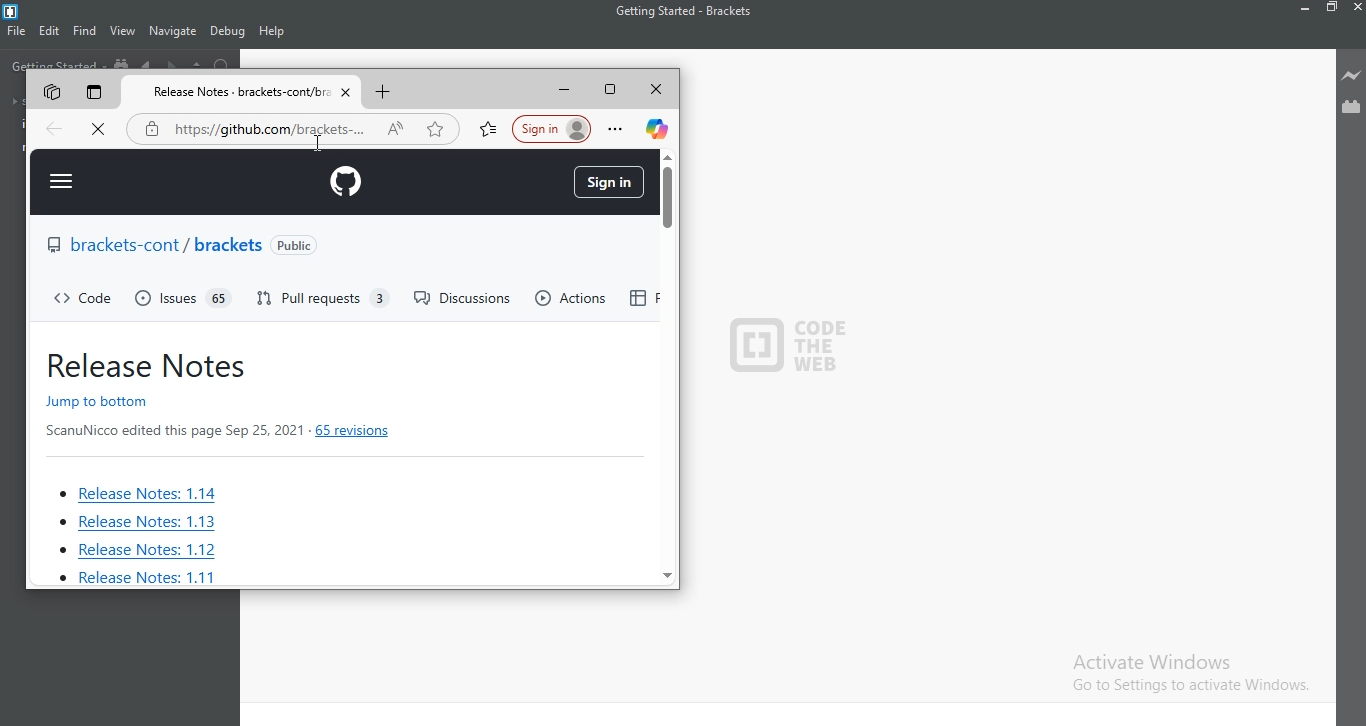 This screenshot has height=726, width=1366. Describe the element at coordinates (567, 93) in the screenshot. I see `minimise` at that location.